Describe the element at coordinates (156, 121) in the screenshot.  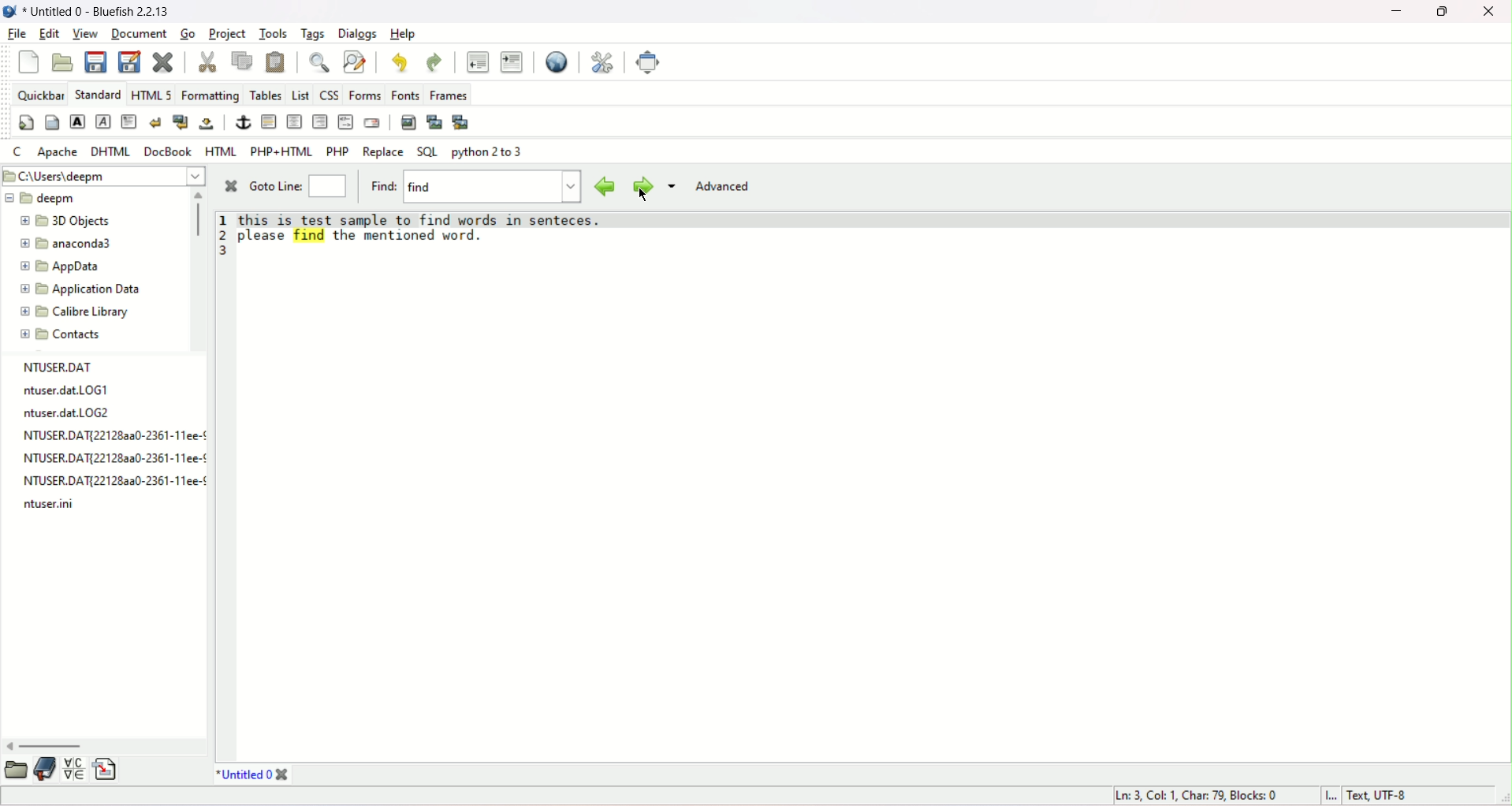
I see `break` at that location.